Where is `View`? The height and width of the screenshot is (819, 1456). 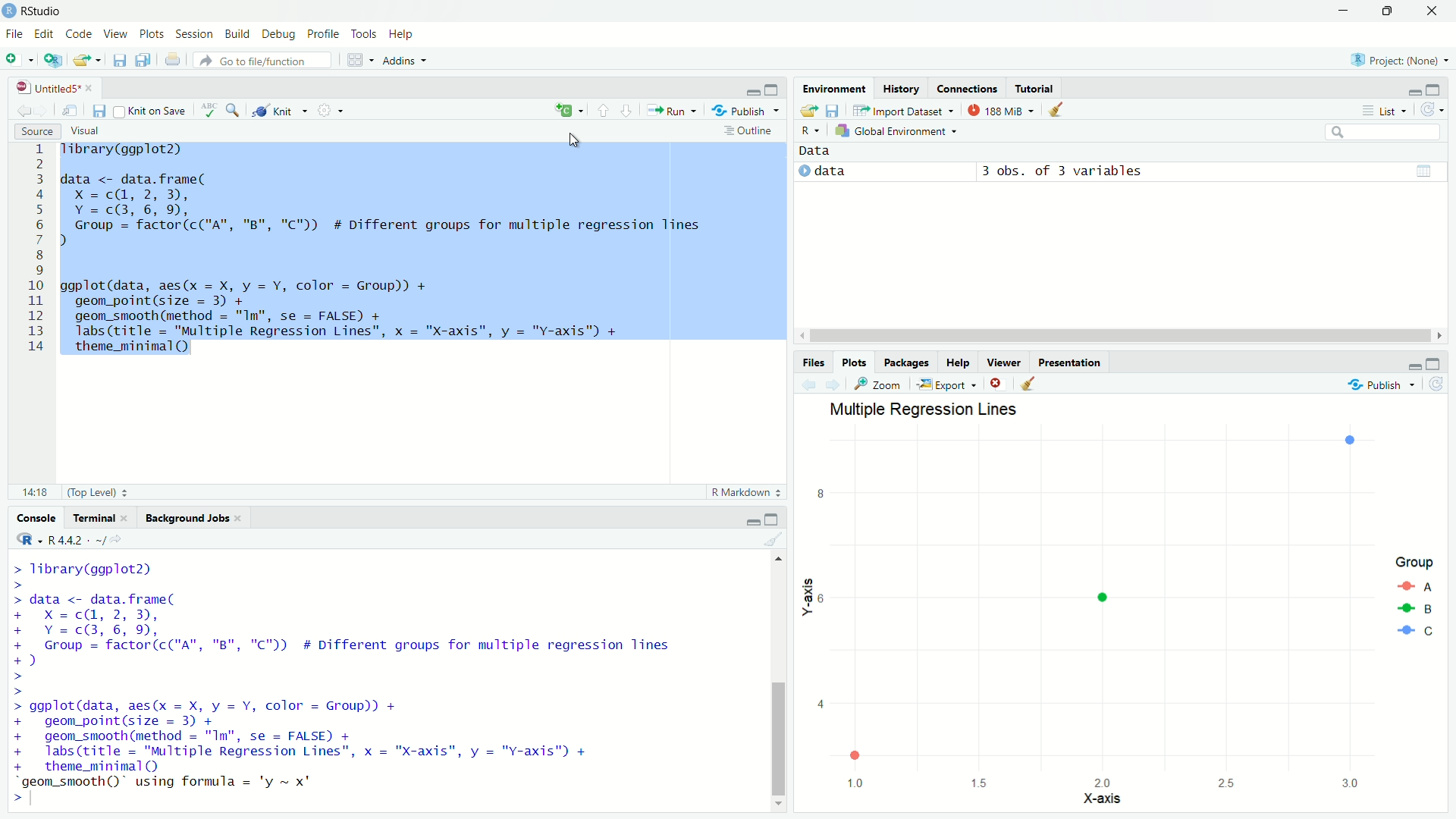
View is located at coordinates (115, 35).